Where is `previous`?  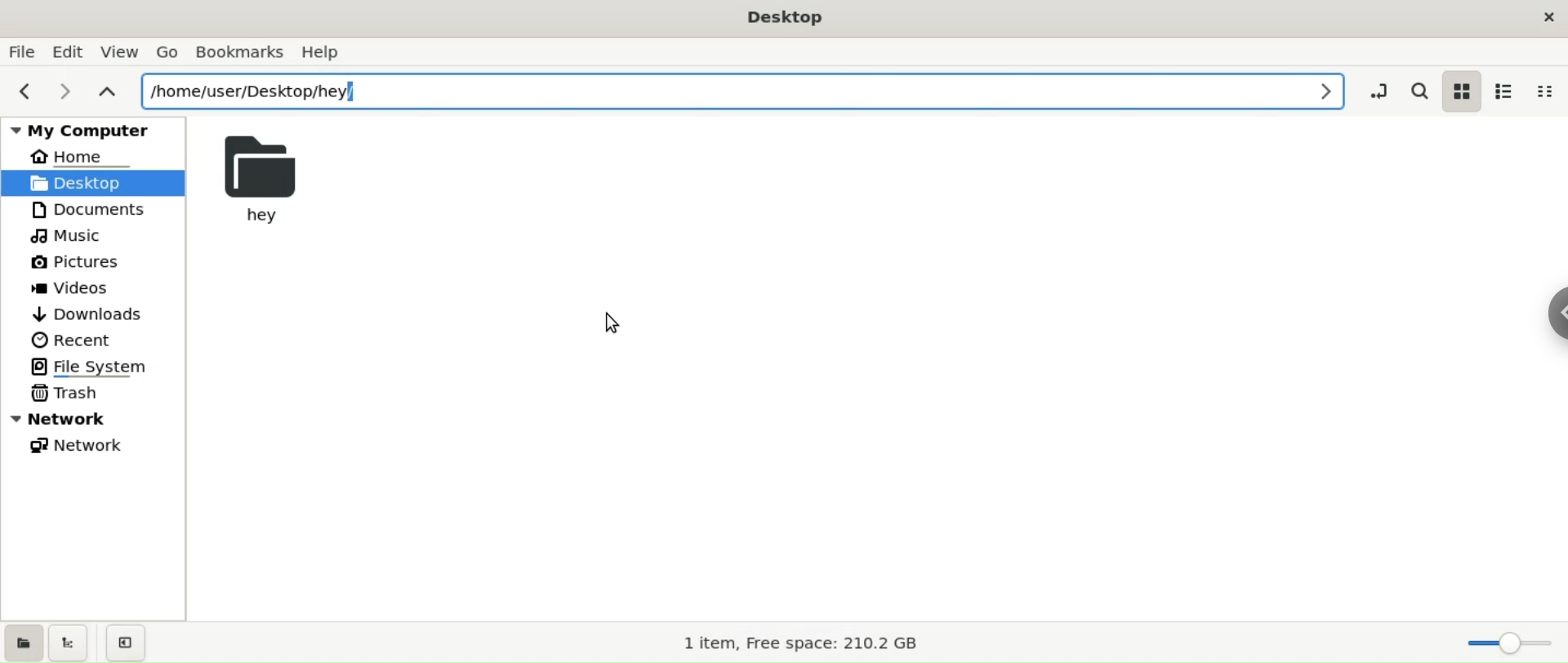 previous is located at coordinates (23, 92).